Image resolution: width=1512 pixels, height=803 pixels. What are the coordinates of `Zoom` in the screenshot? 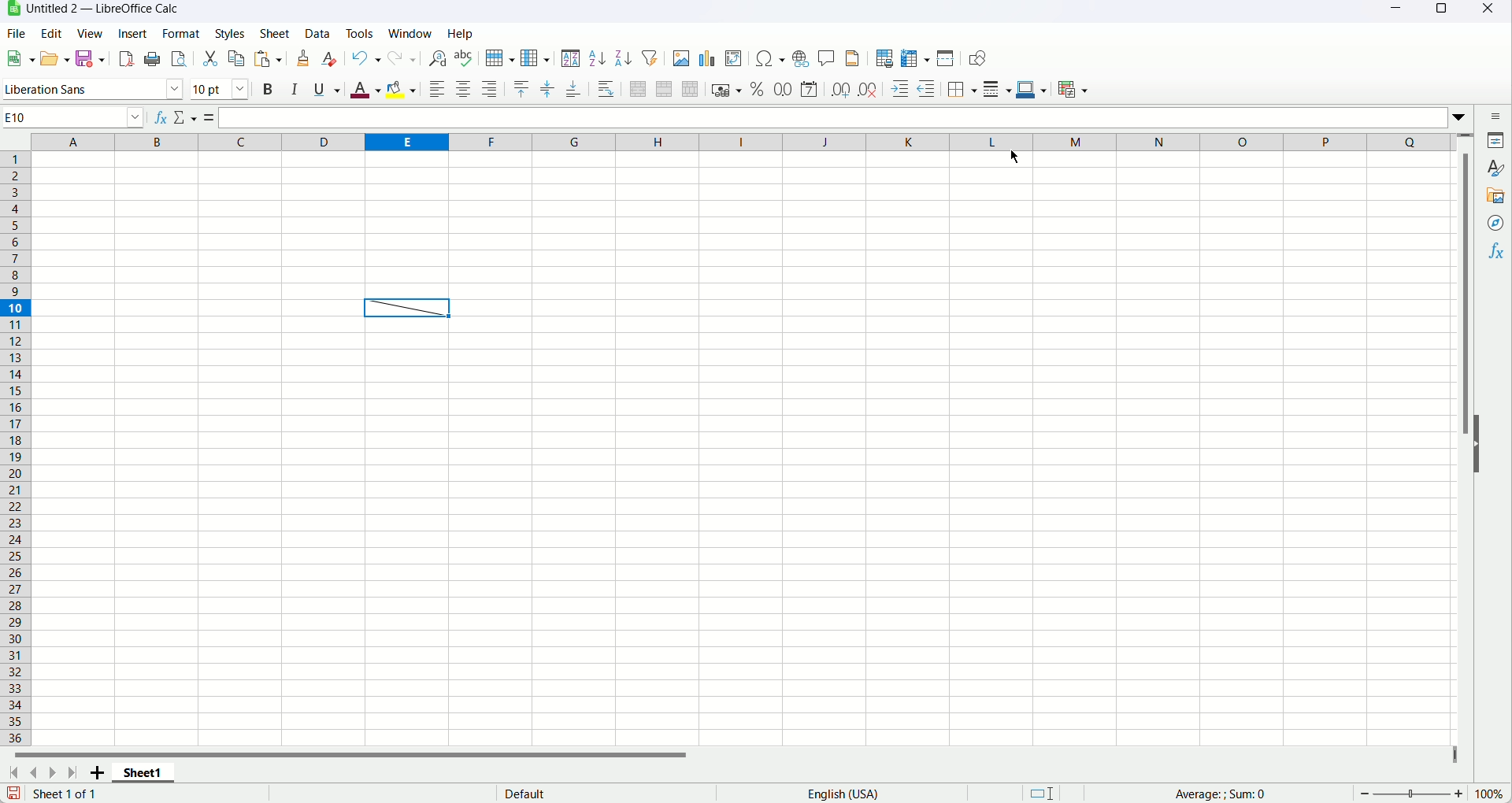 It's located at (1410, 794).